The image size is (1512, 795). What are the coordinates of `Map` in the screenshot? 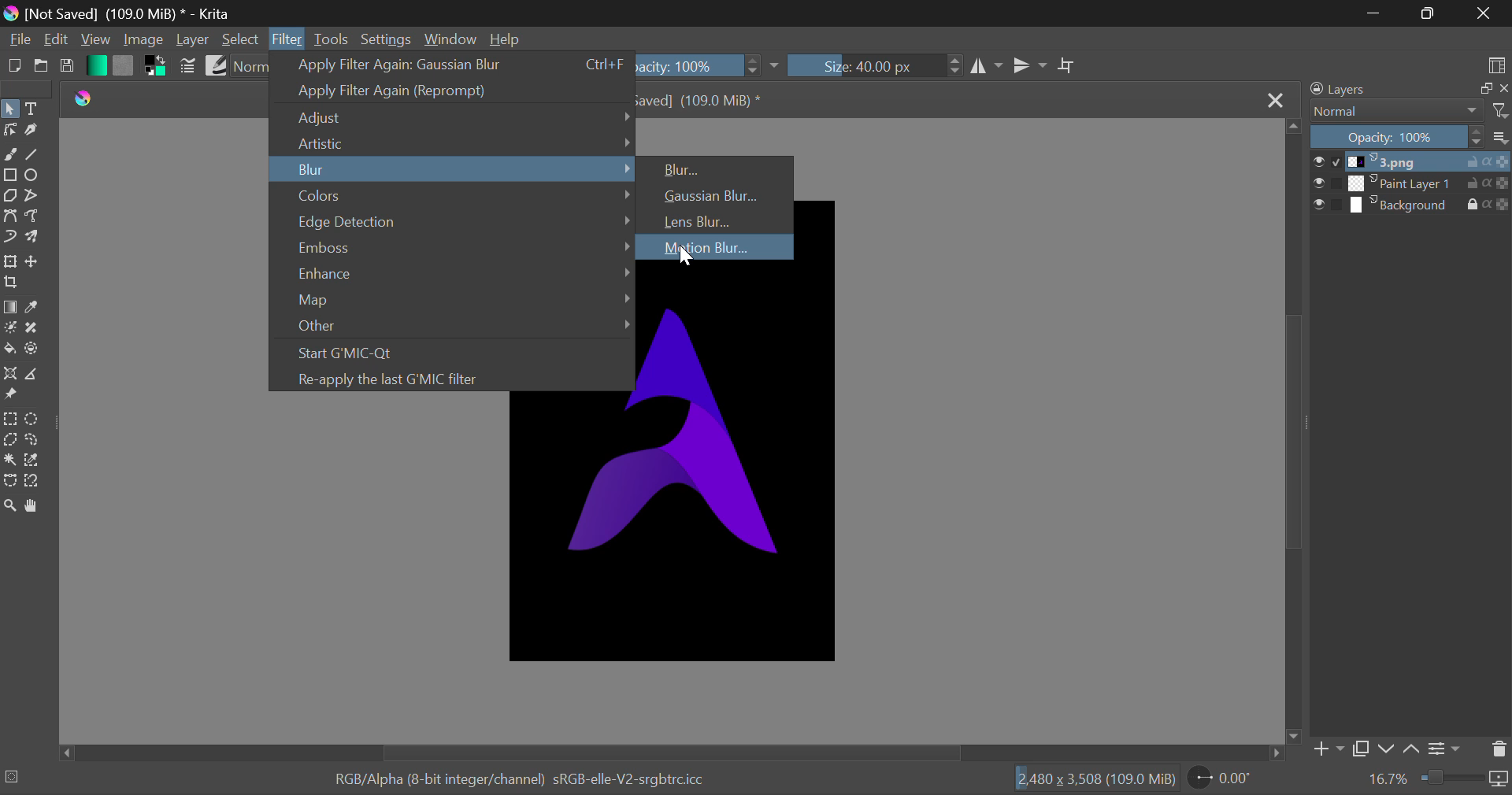 It's located at (450, 301).